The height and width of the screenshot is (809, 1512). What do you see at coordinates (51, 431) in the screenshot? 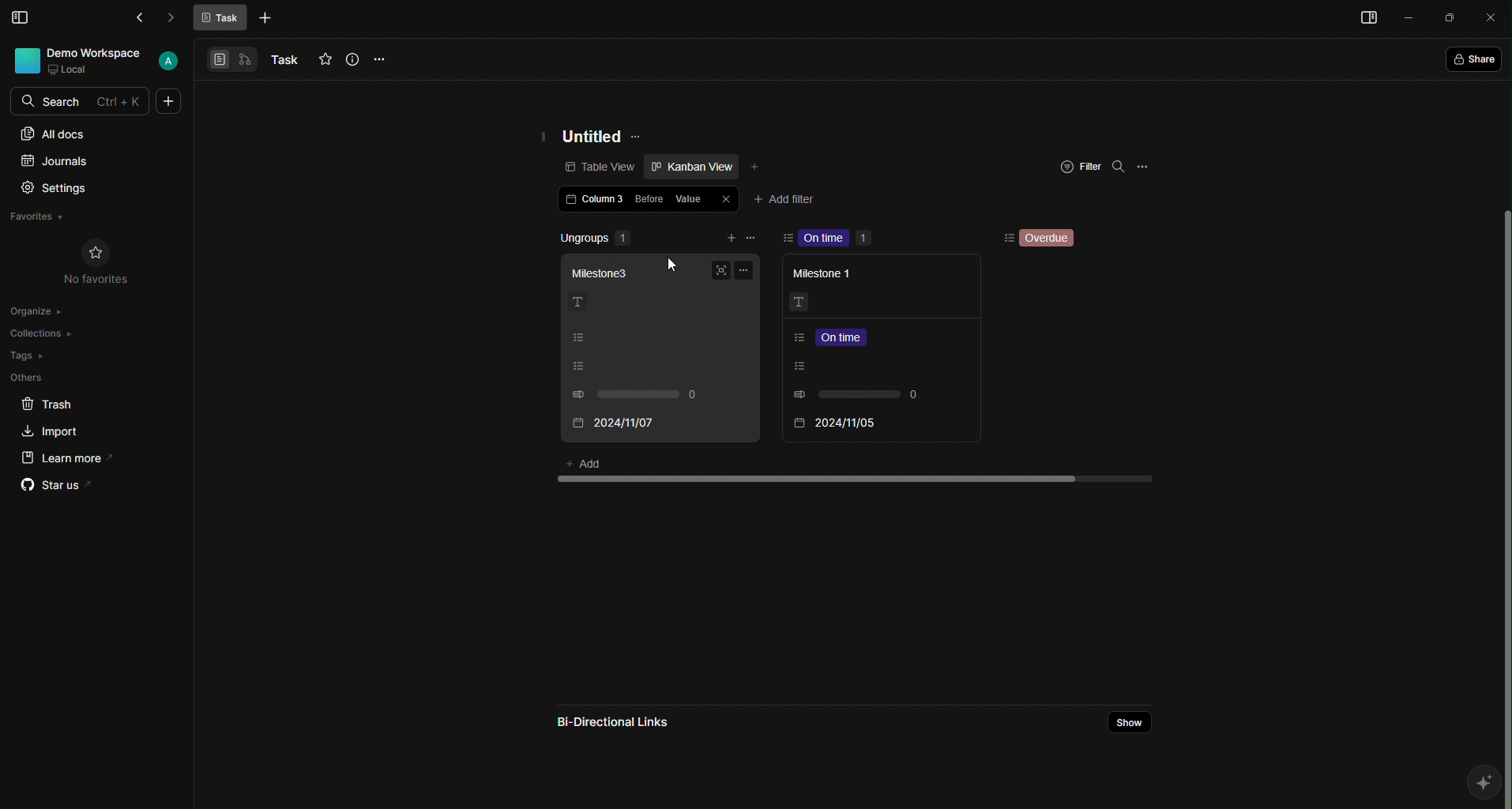
I see `Import` at bounding box center [51, 431].